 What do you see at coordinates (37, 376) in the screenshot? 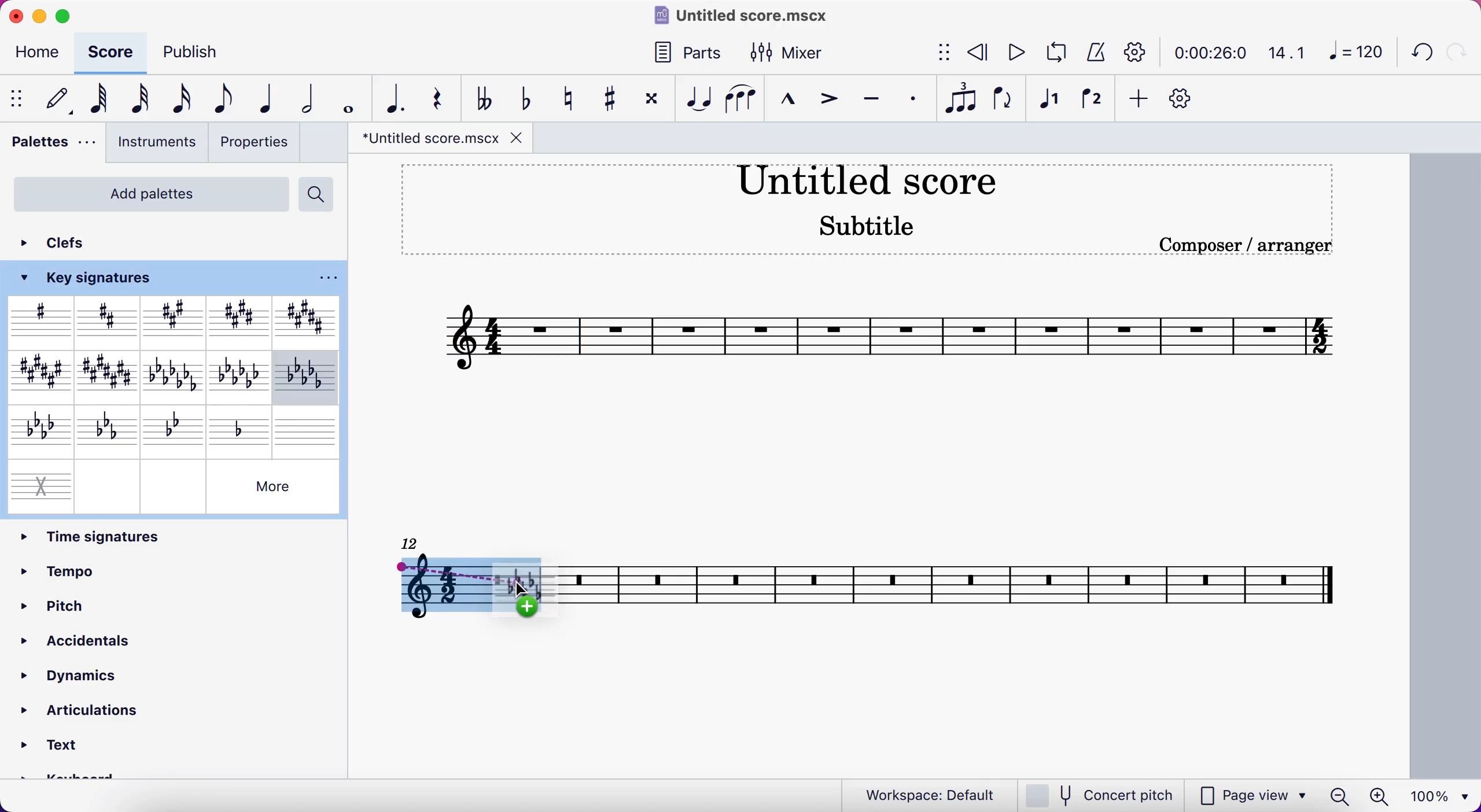
I see `F major` at bounding box center [37, 376].